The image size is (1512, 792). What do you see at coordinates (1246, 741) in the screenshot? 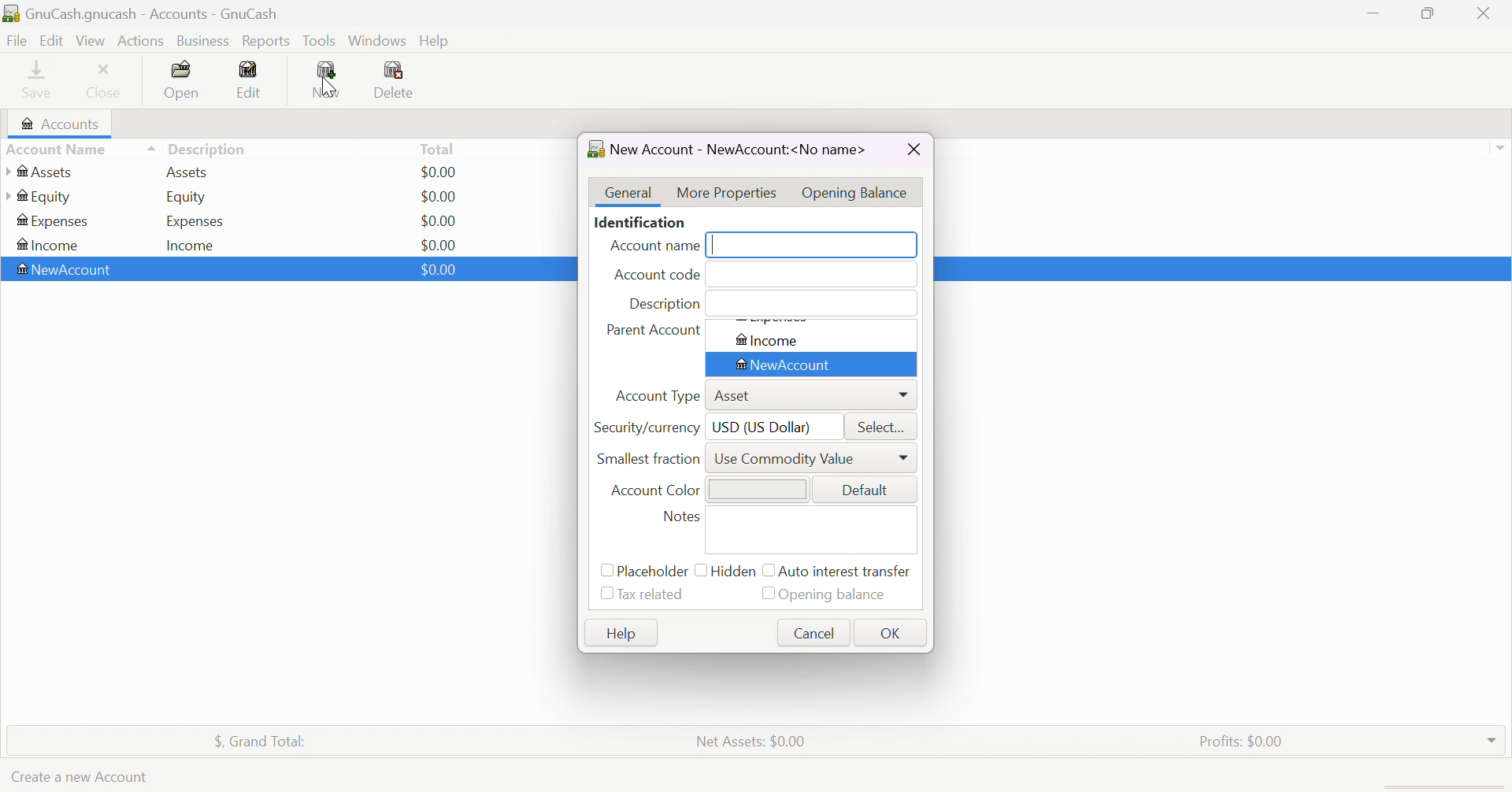
I see `Profits: $0.00` at bounding box center [1246, 741].